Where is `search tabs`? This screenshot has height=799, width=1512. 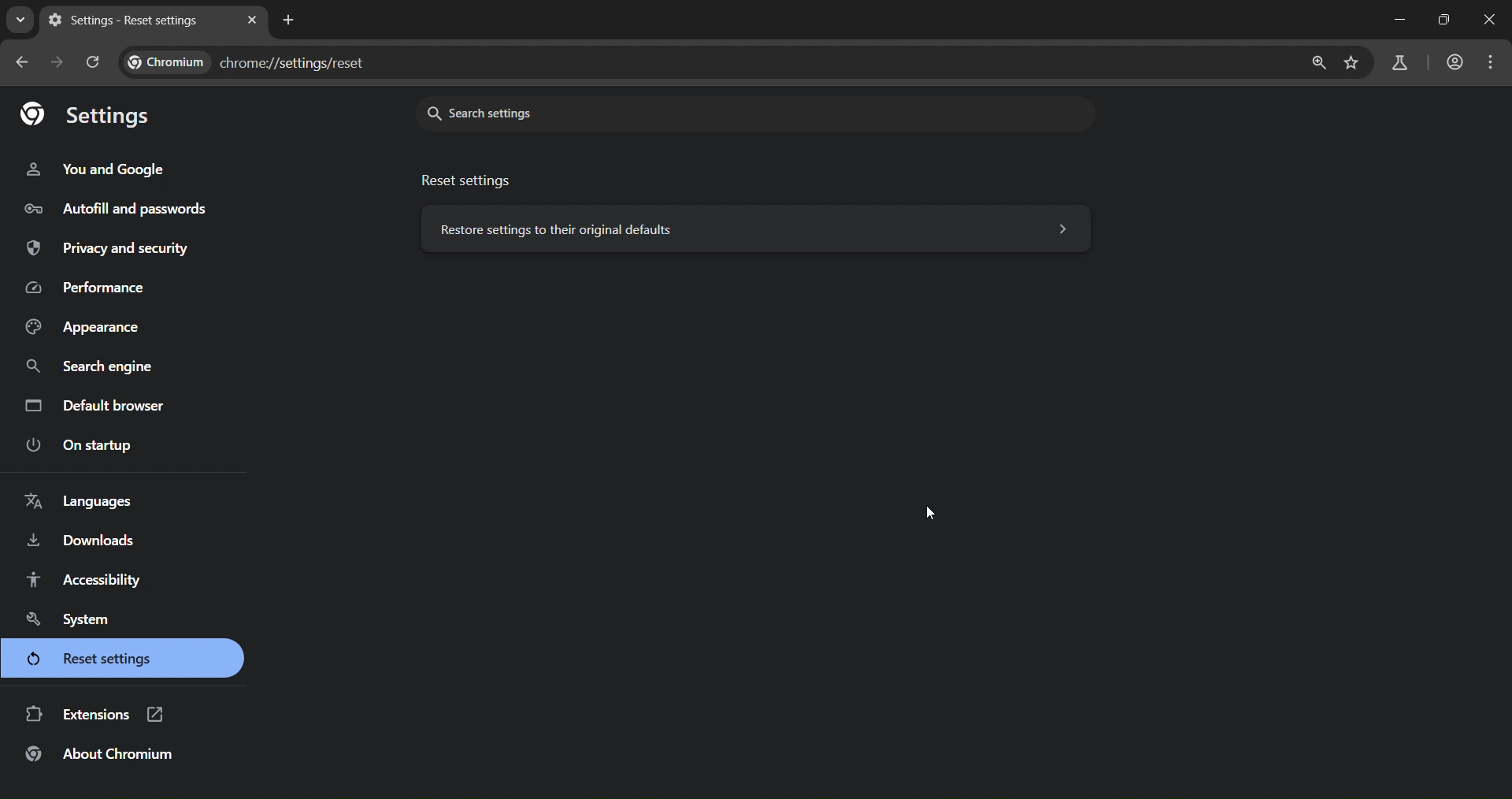
search tabs is located at coordinates (22, 21).